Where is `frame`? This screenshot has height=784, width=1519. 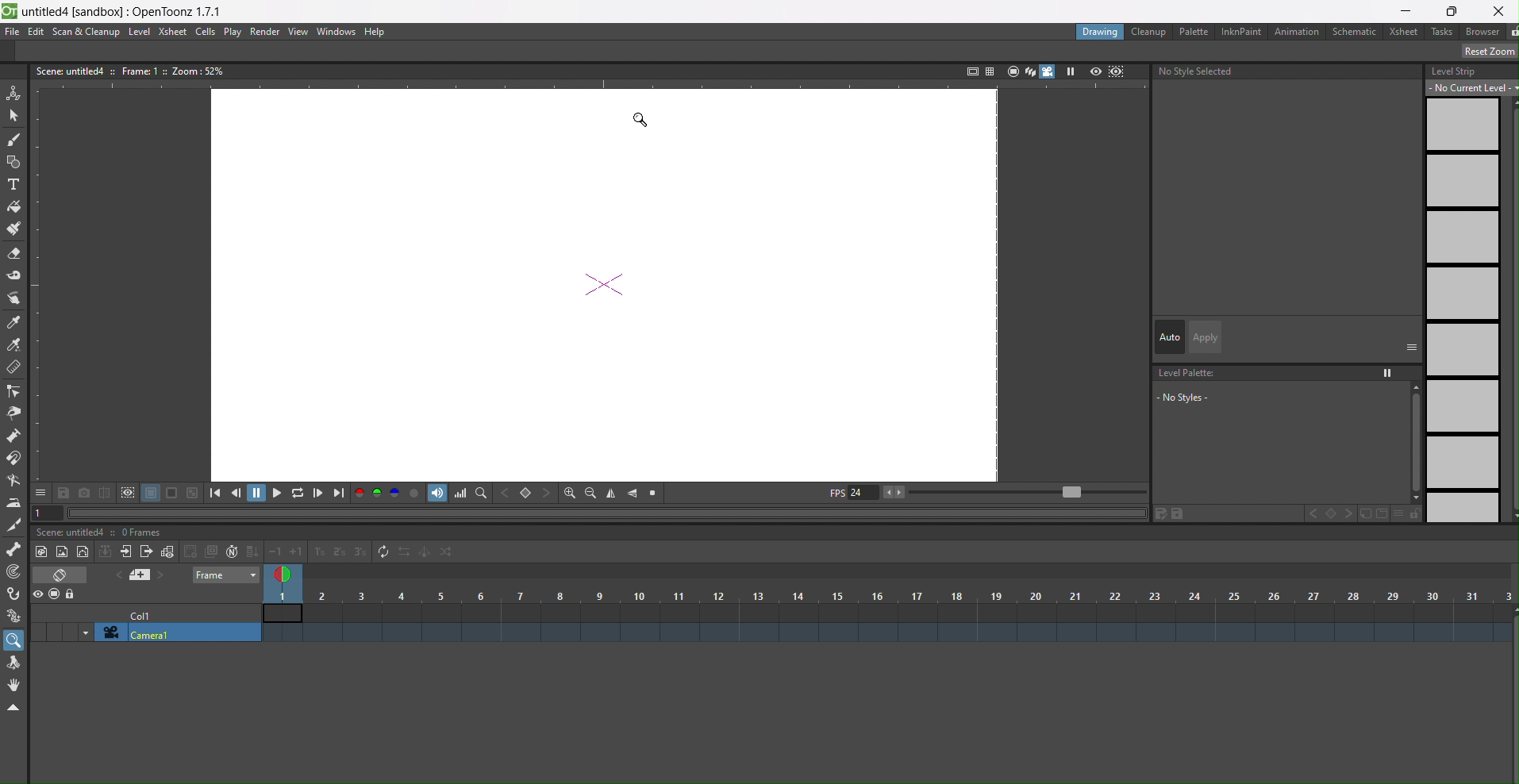
frame is located at coordinates (223, 575).